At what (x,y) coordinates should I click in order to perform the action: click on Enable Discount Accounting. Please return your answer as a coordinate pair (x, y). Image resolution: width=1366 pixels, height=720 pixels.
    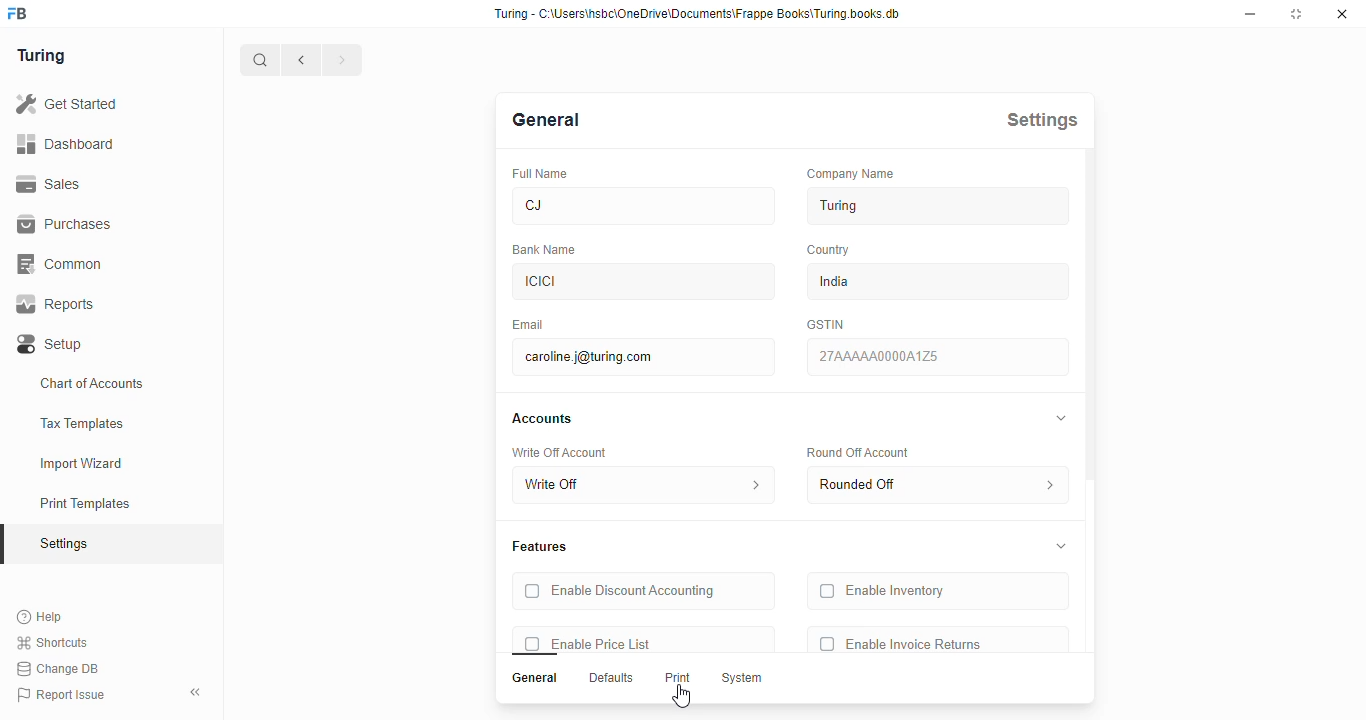
    Looking at the image, I should click on (633, 592).